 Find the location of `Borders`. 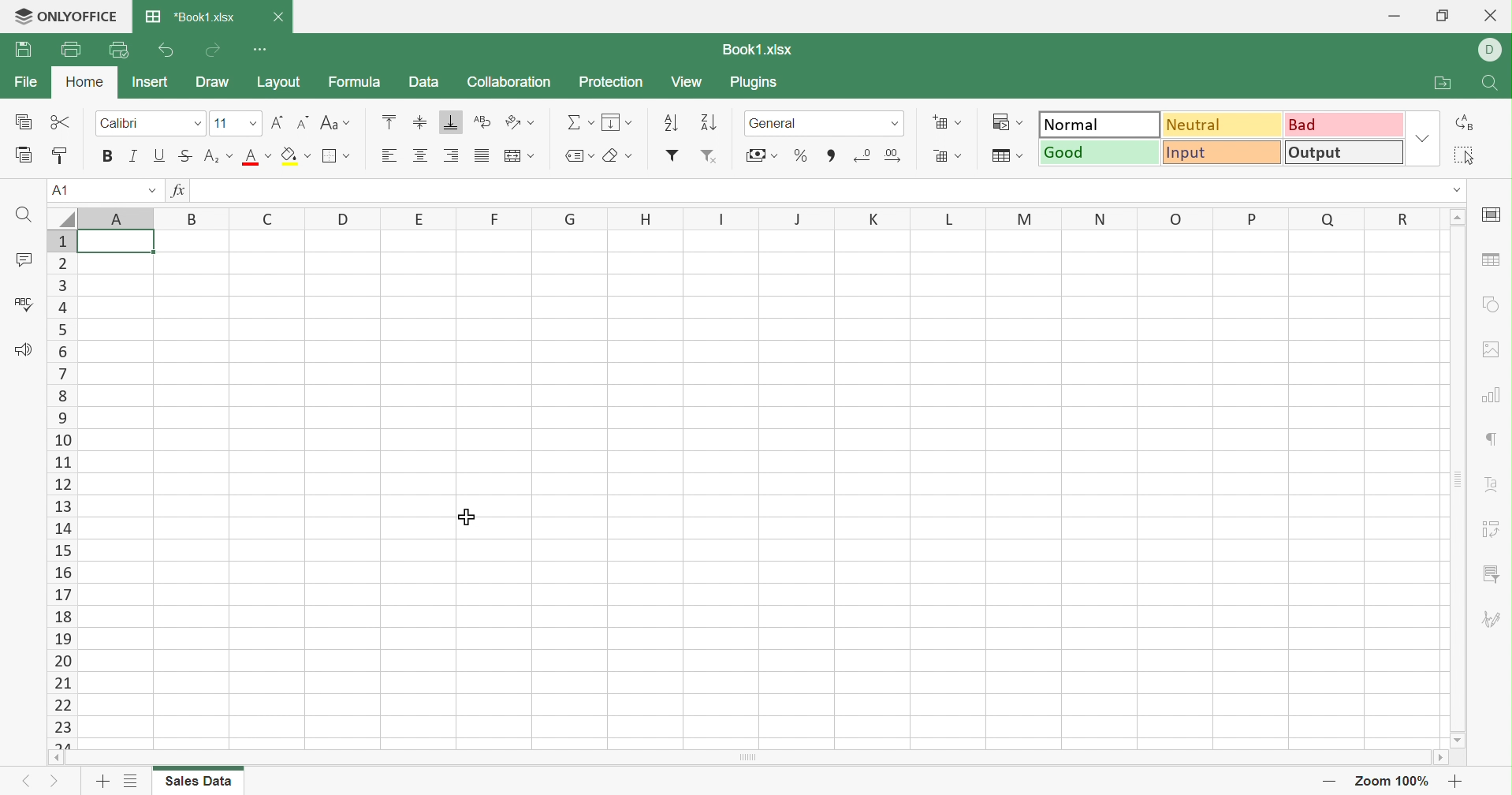

Borders is located at coordinates (341, 157).